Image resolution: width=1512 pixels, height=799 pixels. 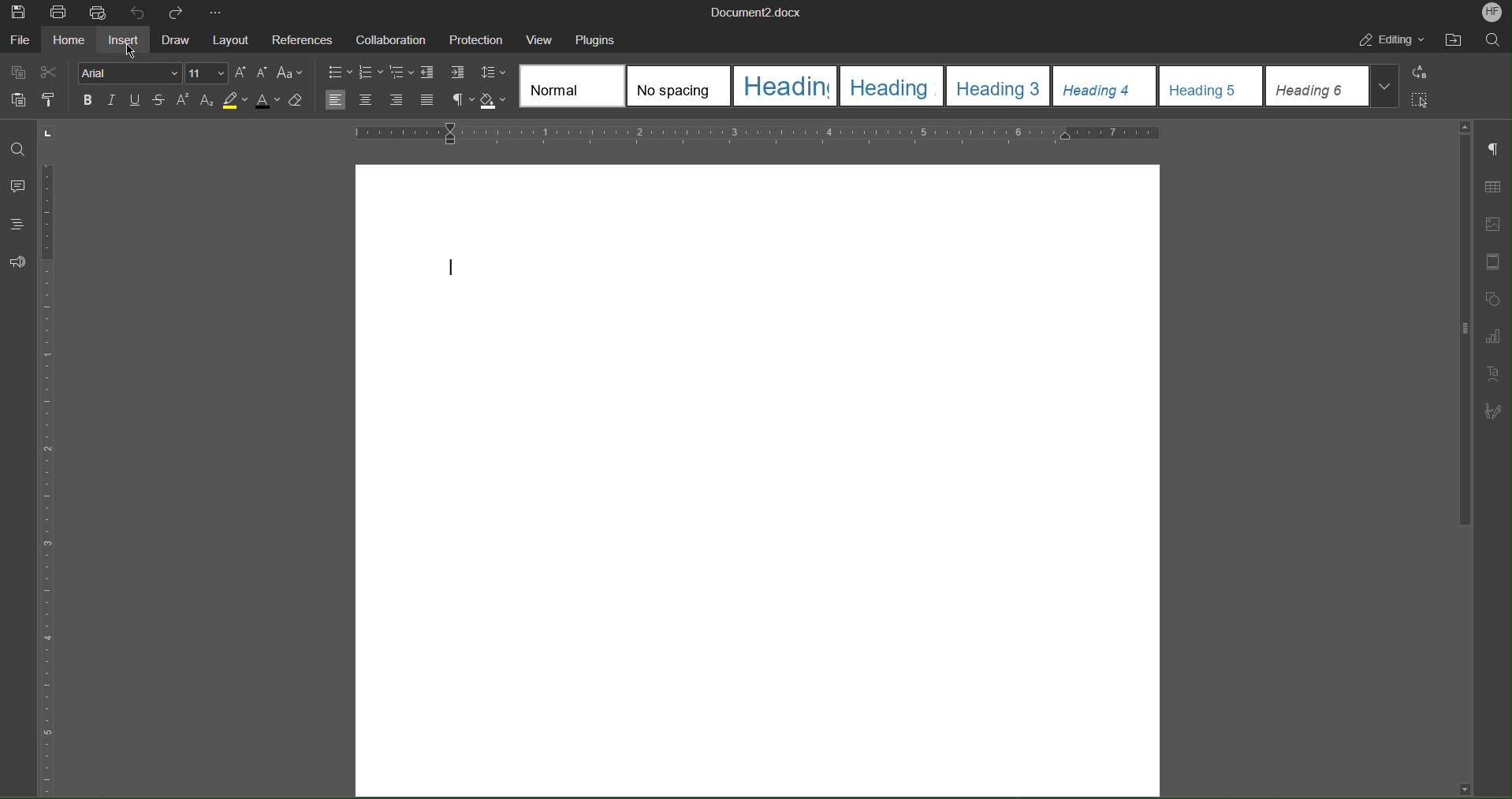 What do you see at coordinates (290, 72) in the screenshot?
I see `Font Case Settings` at bounding box center [290, 72].